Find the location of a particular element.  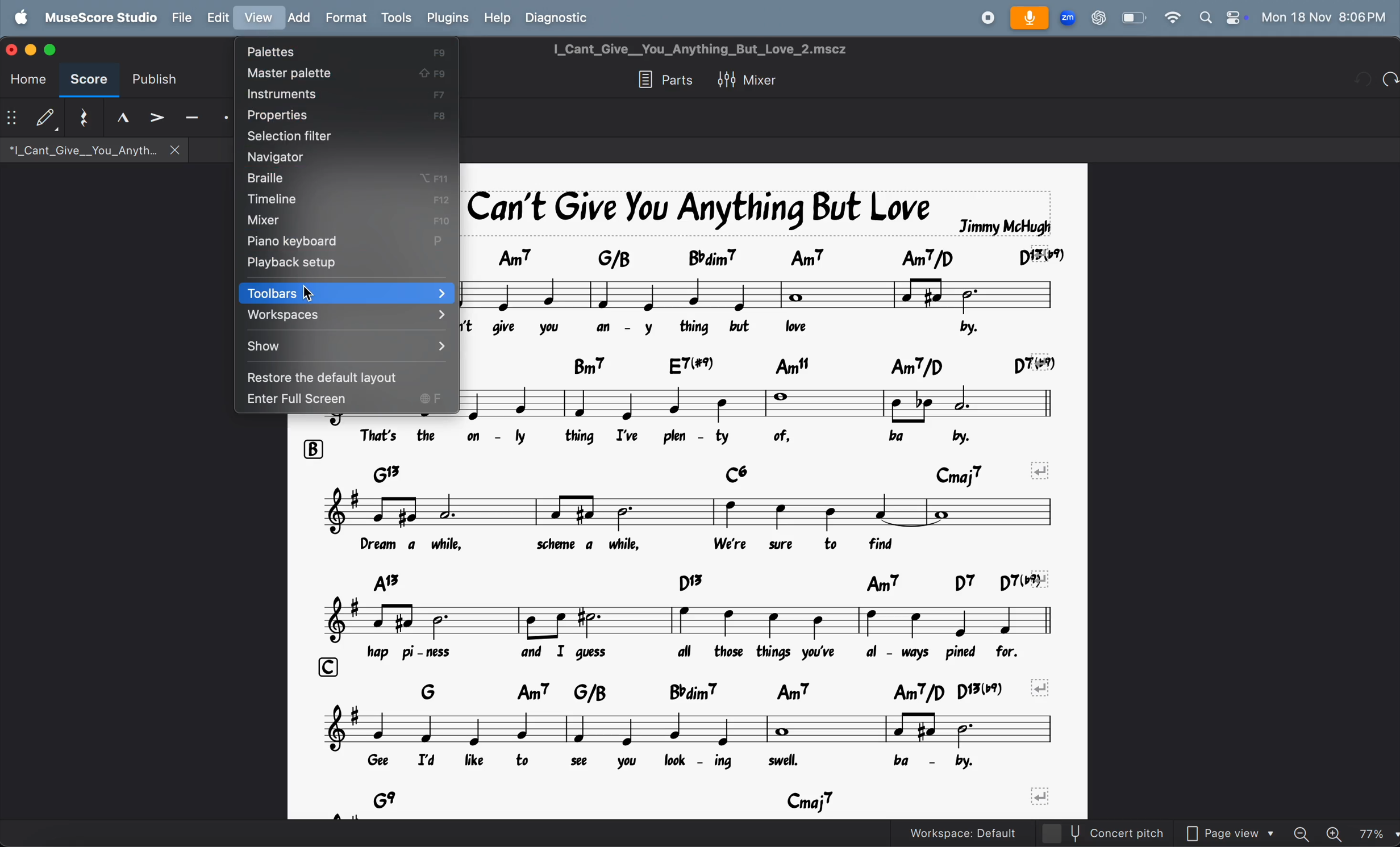

playback is located at coordinates (346, 264).